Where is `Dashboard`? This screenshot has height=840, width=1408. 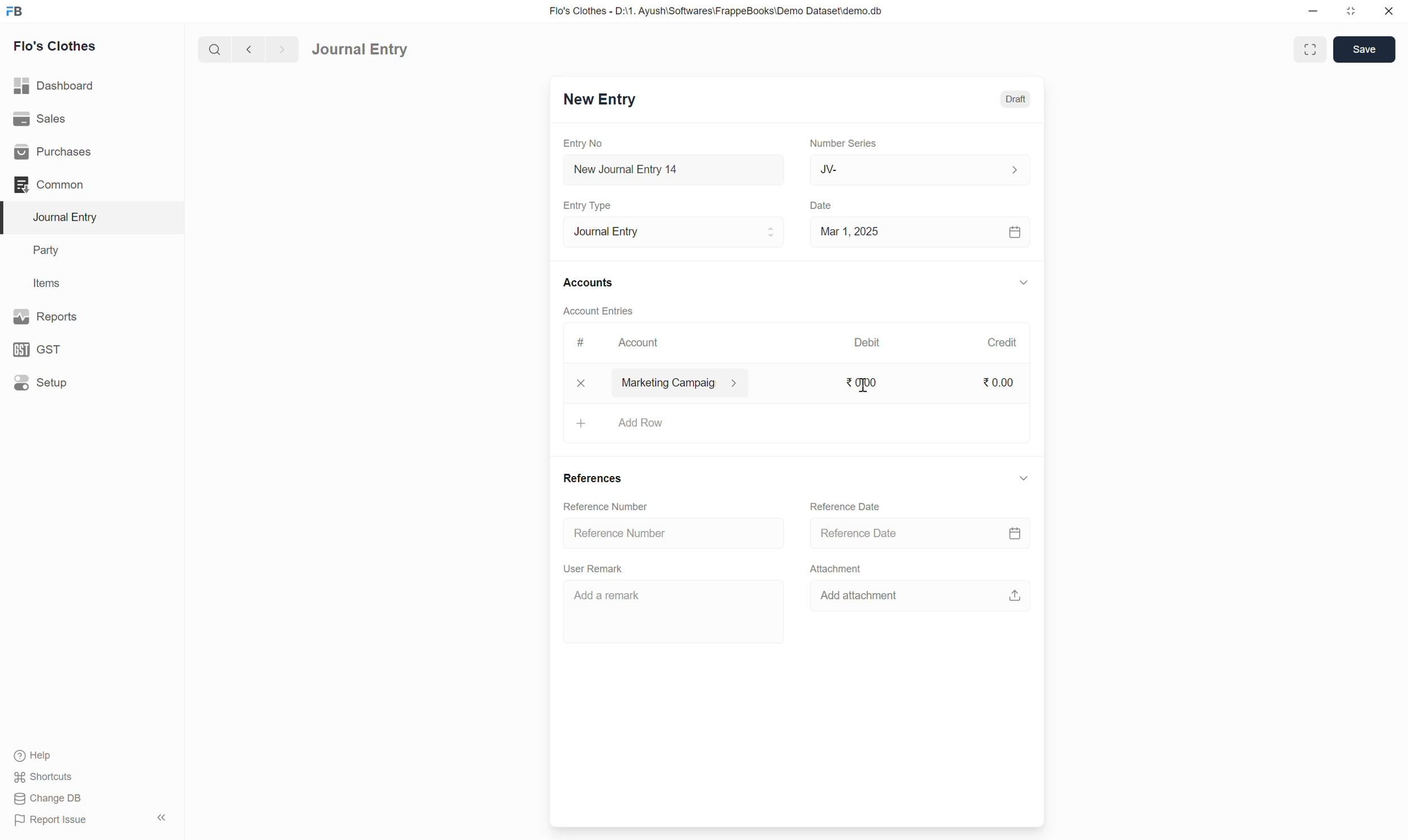 Dashboard is located at coordinates (55, 85).